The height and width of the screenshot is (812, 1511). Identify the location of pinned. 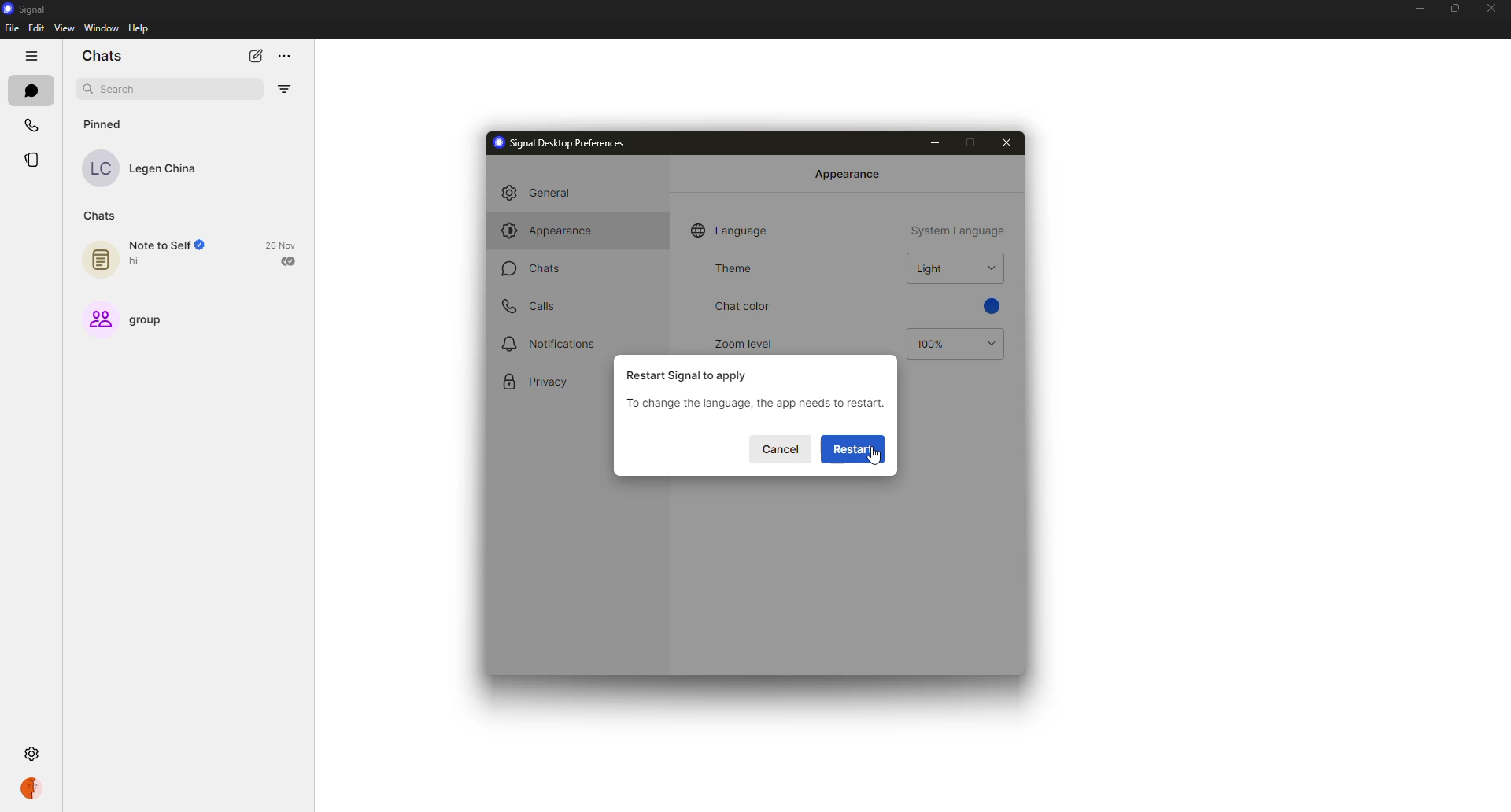
(105, 124).